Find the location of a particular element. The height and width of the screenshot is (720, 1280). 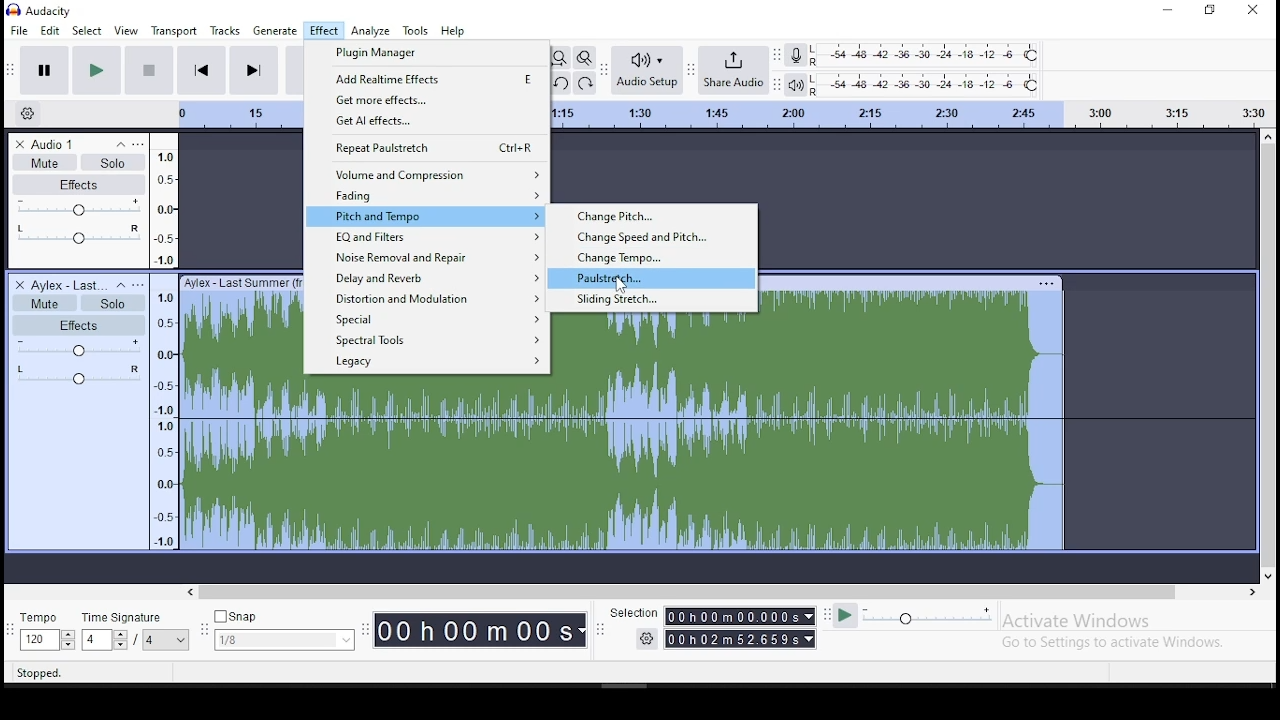

special is located at coordinates (429, 320).